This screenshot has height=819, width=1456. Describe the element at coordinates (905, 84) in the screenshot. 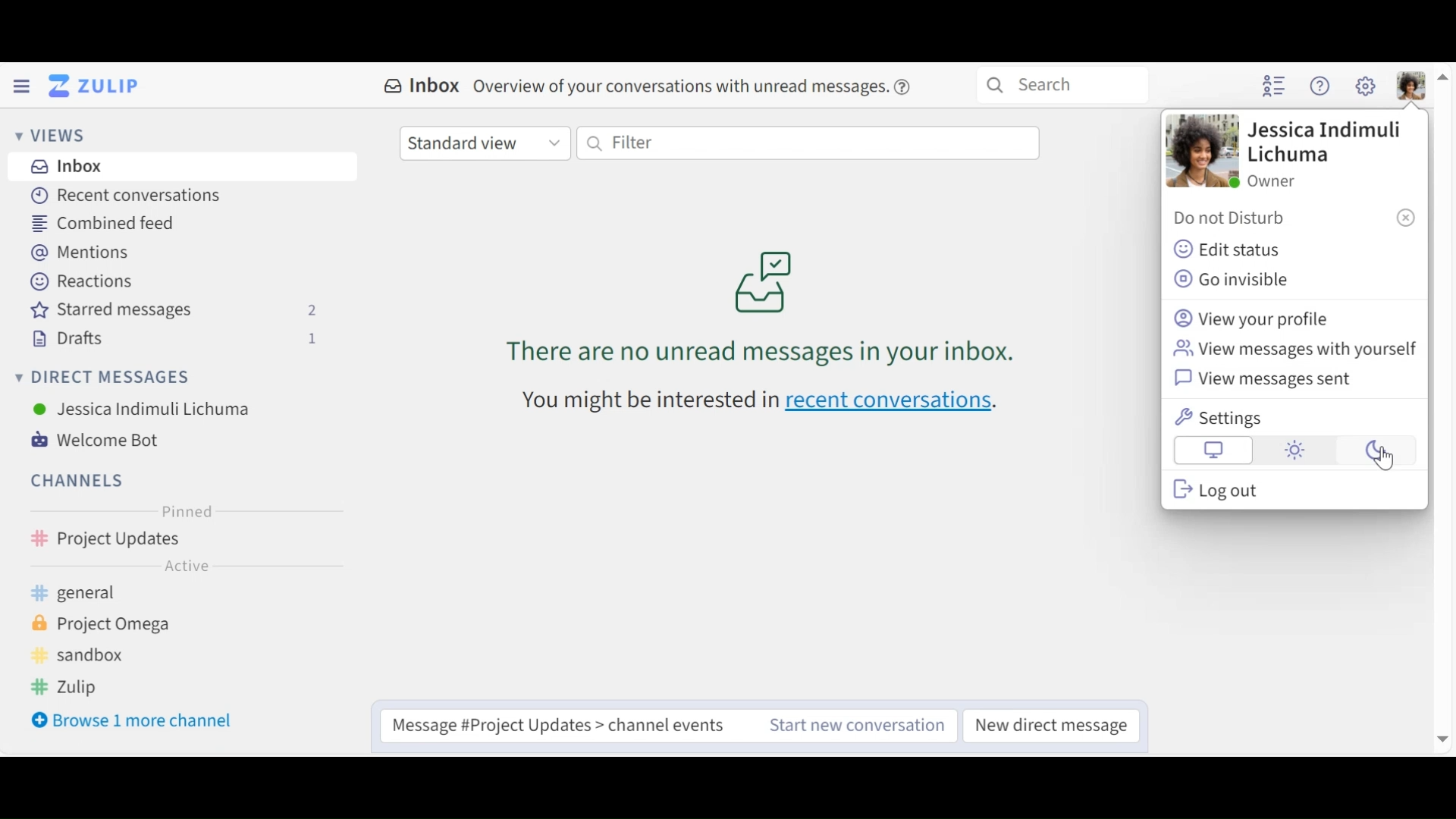

I see `Help` at that location.